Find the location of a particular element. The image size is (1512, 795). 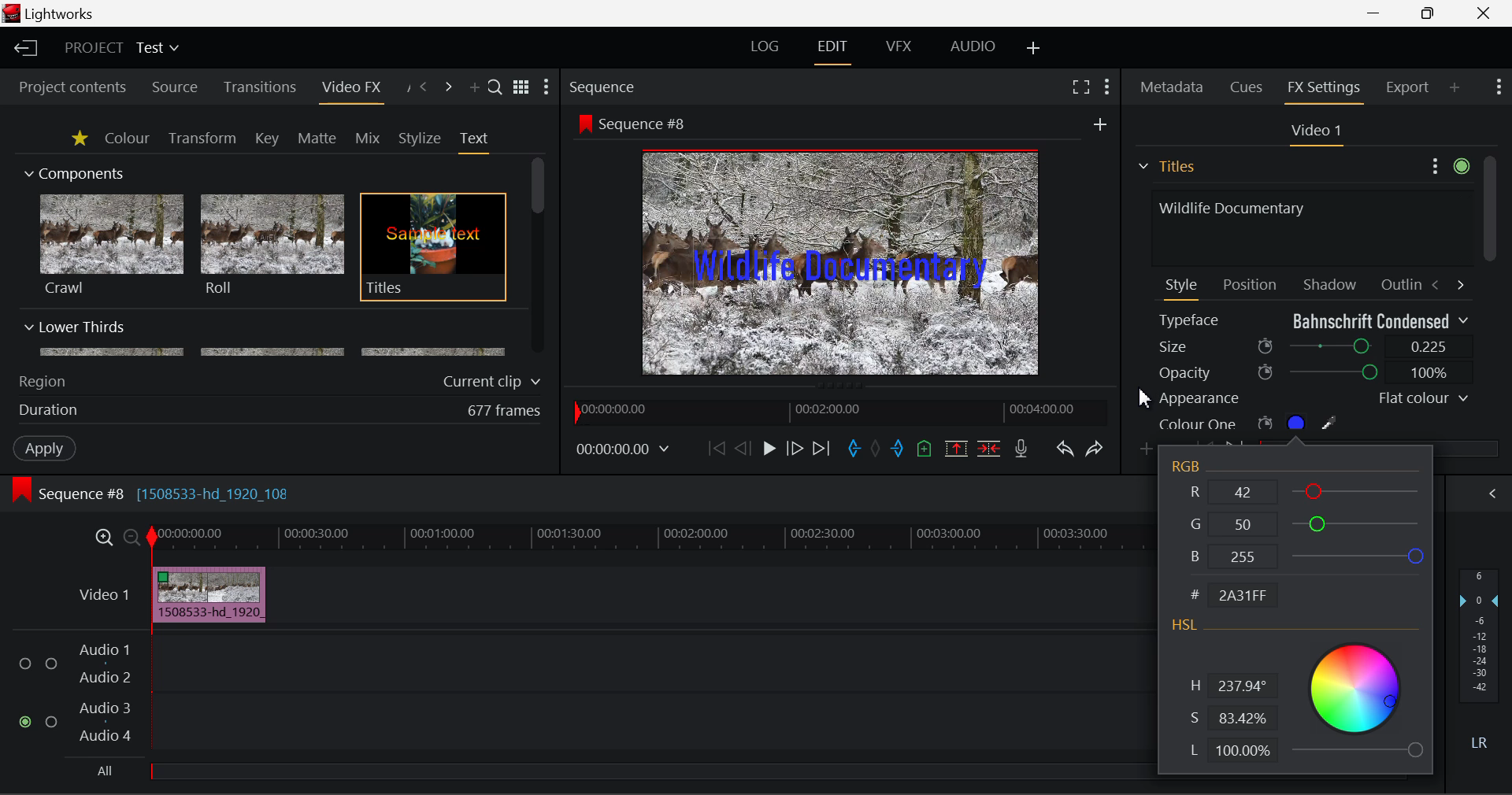

Audio 4 is located at coordinates (106, 734).